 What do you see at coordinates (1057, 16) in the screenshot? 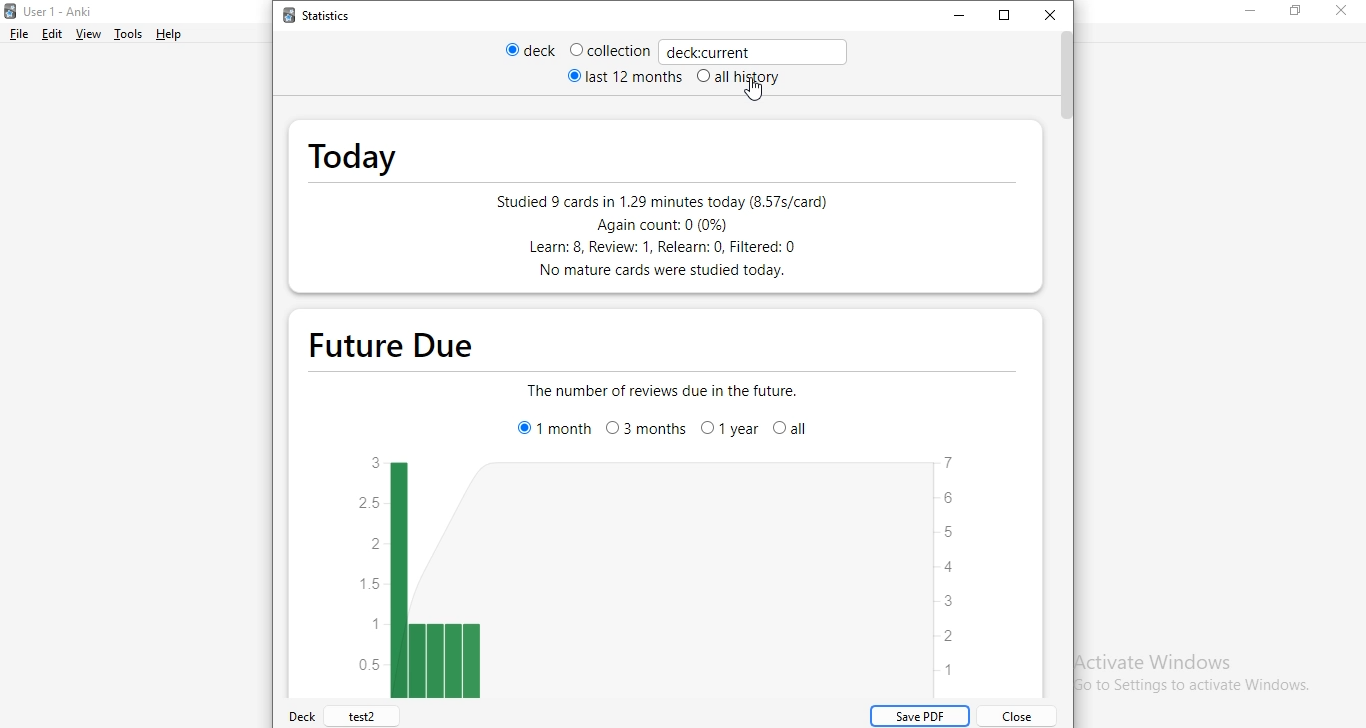
I see `close` at bounding box center [1057, 16].